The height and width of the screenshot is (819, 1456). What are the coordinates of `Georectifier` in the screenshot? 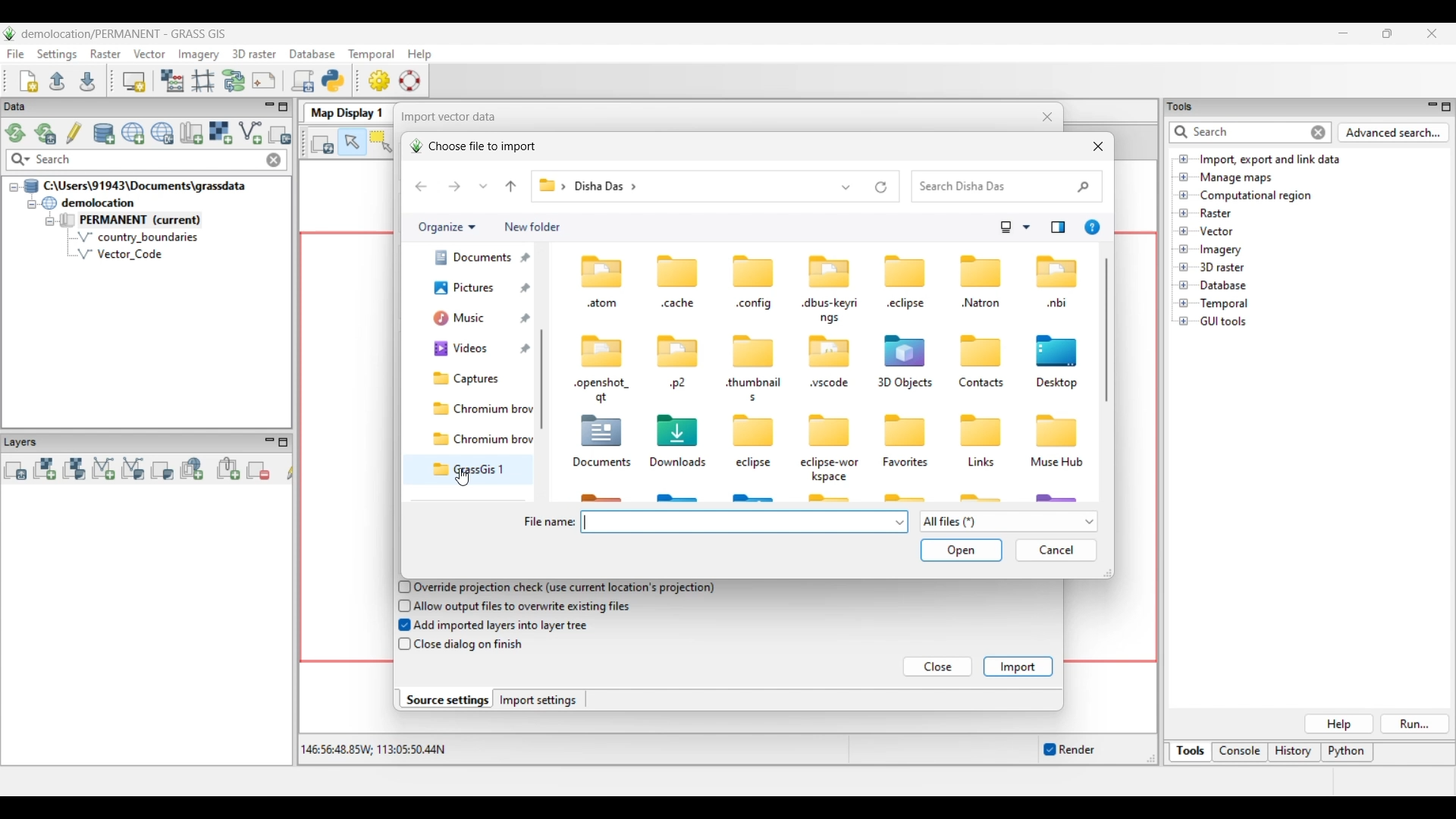 It's located at (203, 81).